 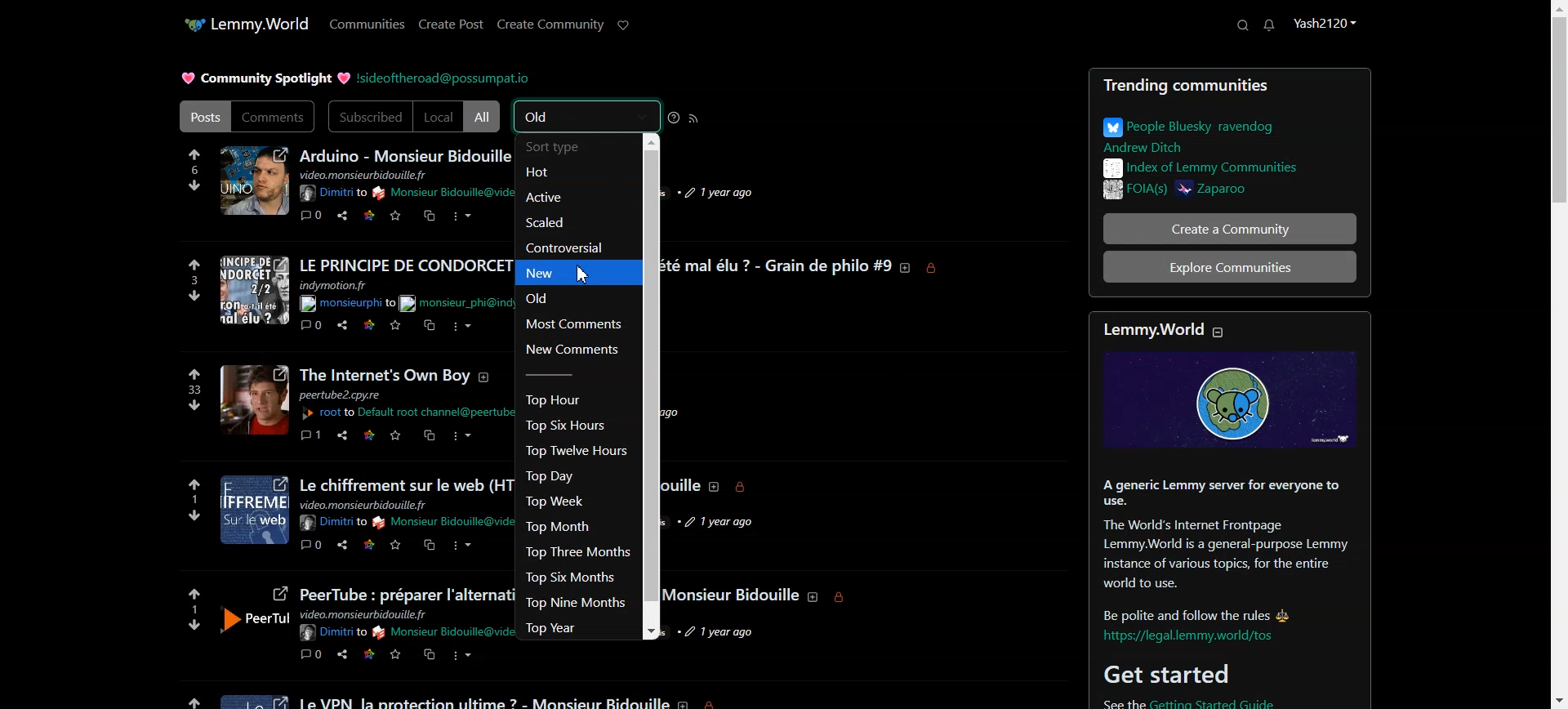 I want to click on Top Day, so click(x=573, y=477).